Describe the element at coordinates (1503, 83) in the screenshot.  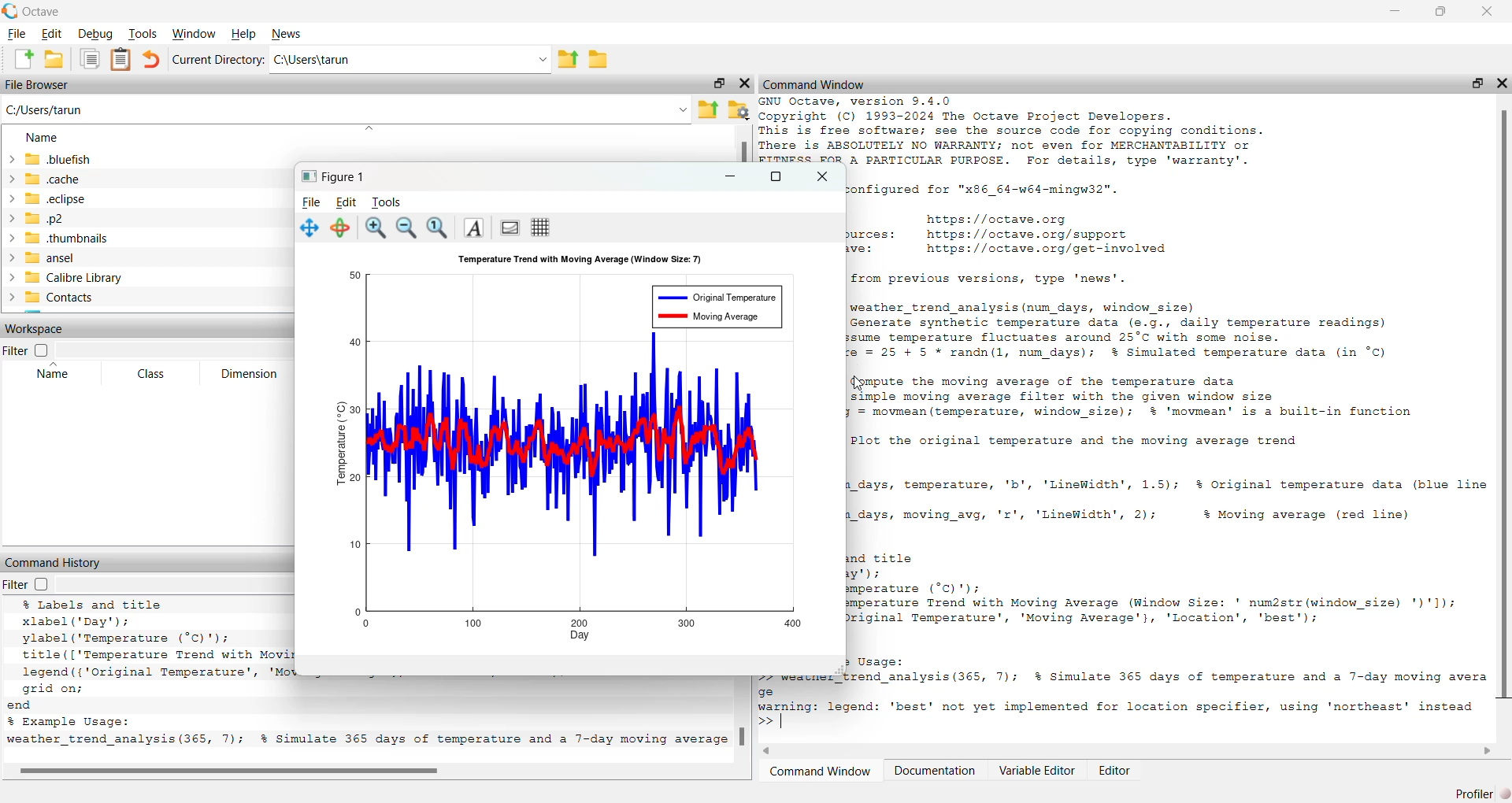
I see `close` at that location.